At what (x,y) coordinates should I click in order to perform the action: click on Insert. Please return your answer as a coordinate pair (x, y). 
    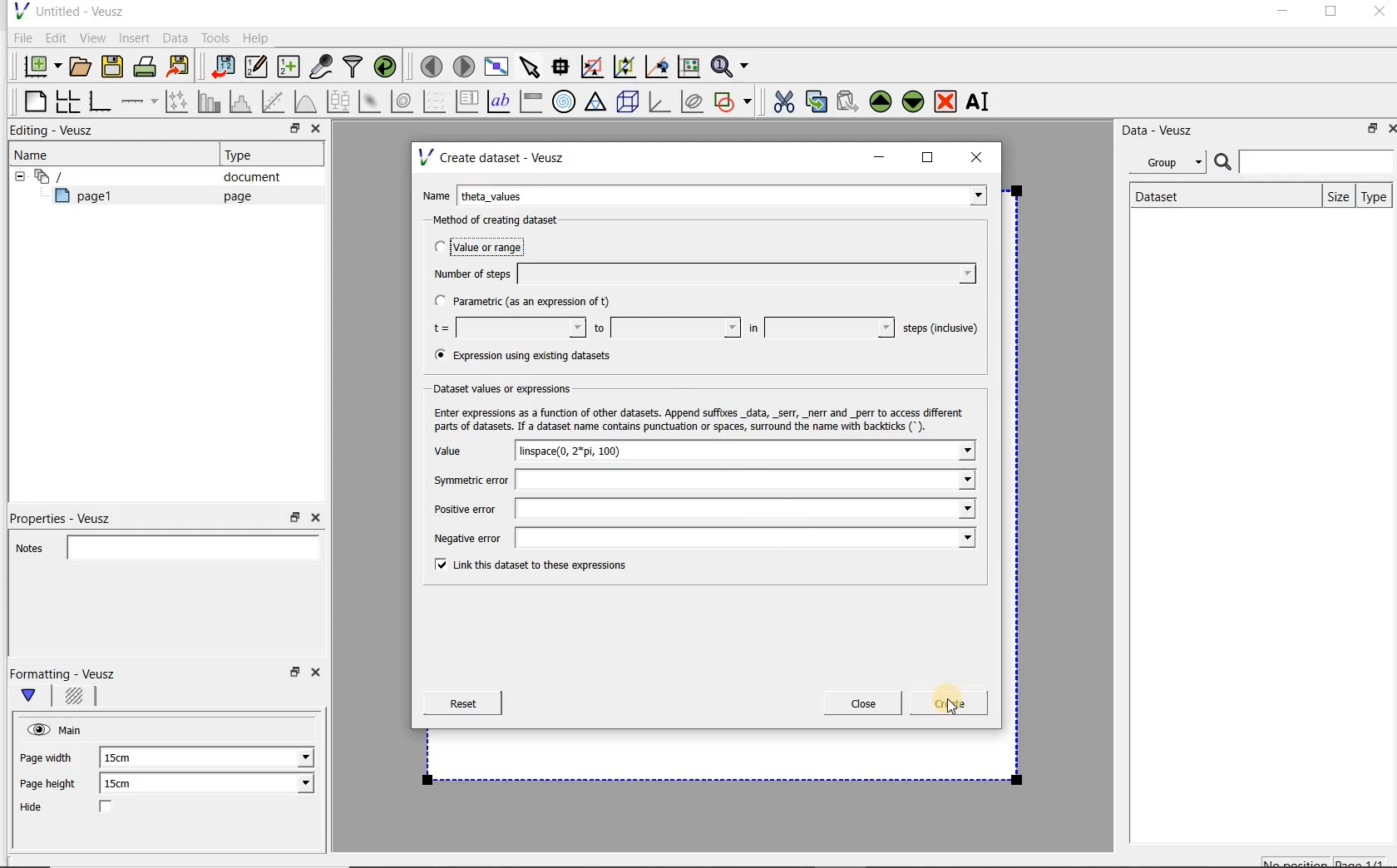
    Looking at the image, I should click on (136, 37).